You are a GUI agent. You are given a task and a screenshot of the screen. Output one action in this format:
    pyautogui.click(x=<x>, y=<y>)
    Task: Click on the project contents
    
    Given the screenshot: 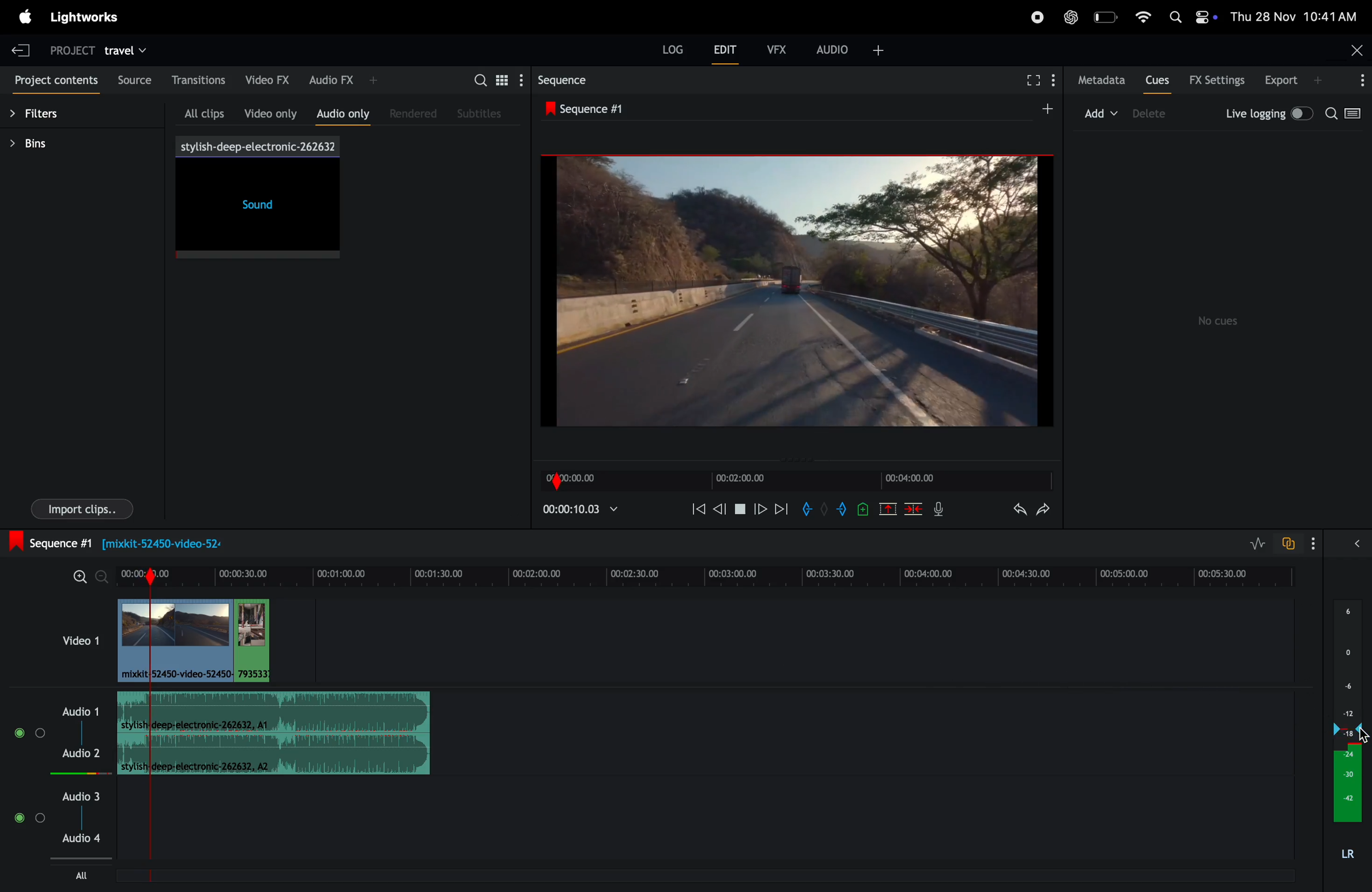 What is the action you would take?
    pyautogui.click(x=54, y=77)
    